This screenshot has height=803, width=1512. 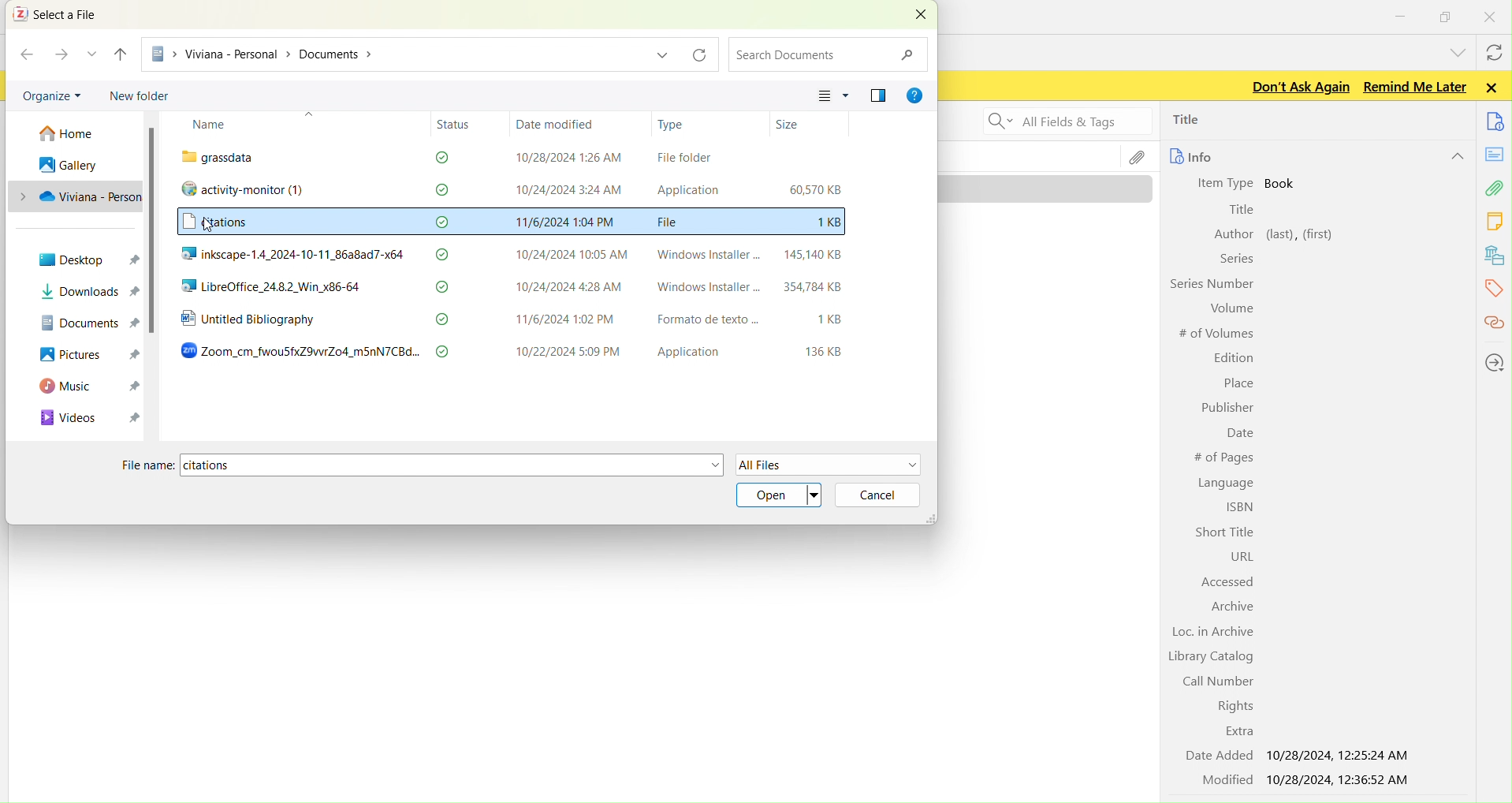 I want to click on Loc. in Archive, so click(x=1215, y=631).